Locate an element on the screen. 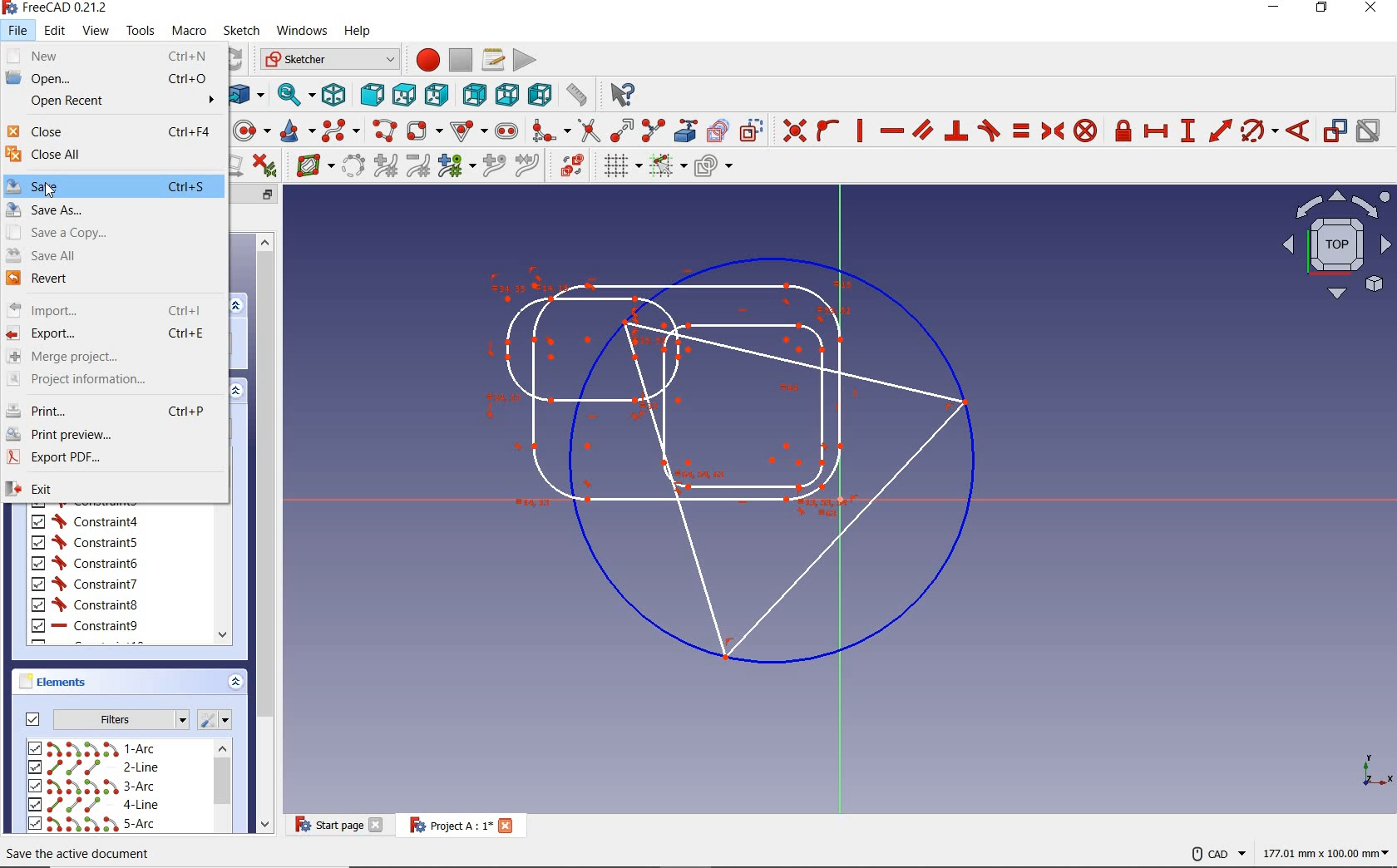 This screenshot has width=1397, height=868. file is located at coordinates (20, 31).